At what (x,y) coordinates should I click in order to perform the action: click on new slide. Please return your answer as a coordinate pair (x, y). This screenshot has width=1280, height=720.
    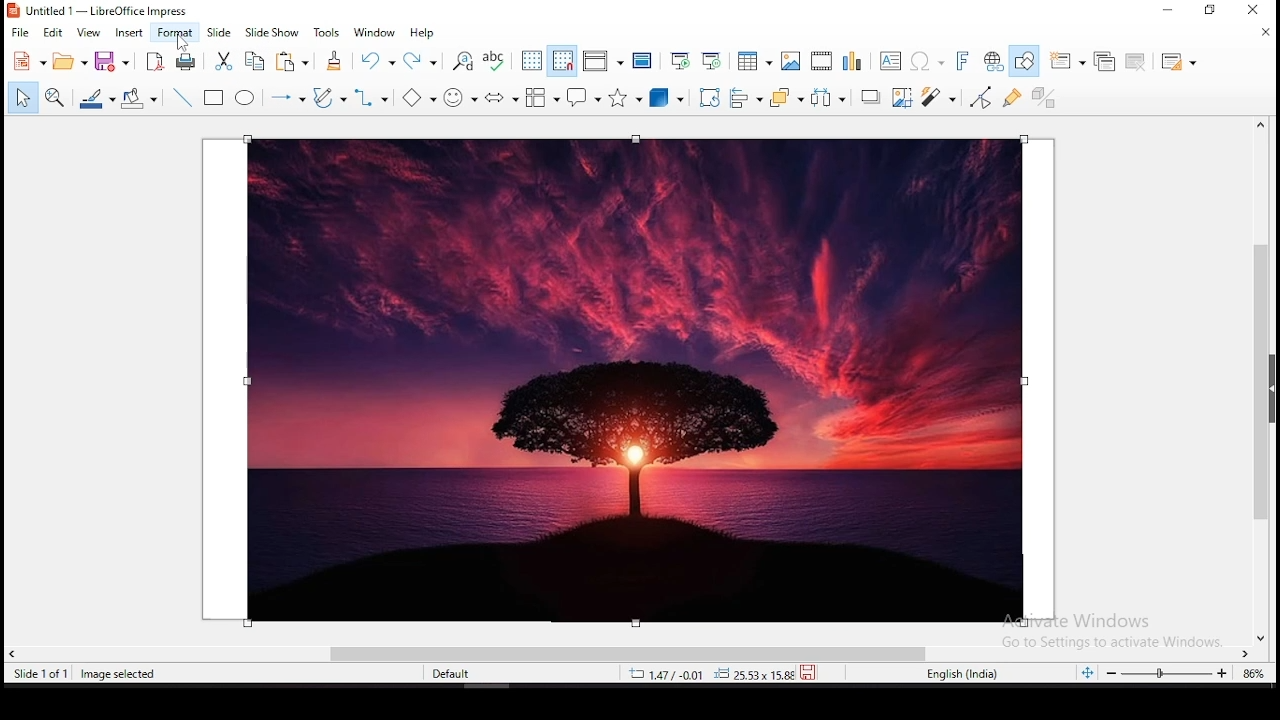
    Looking at the image, I should click on (1068, 60).